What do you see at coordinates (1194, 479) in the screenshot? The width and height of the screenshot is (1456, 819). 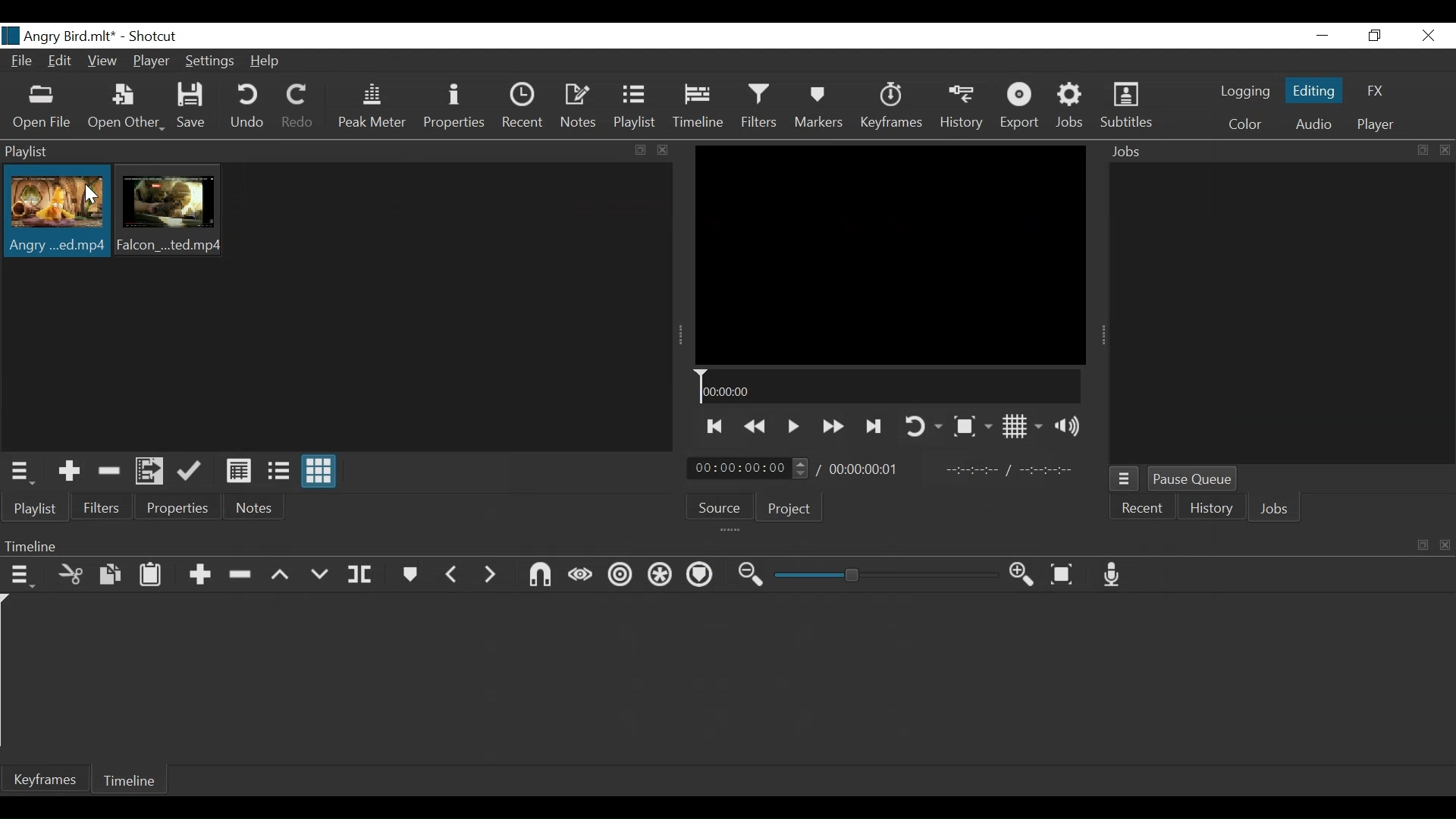 I see `Pause Queue` at bounding box center [1194, 479].